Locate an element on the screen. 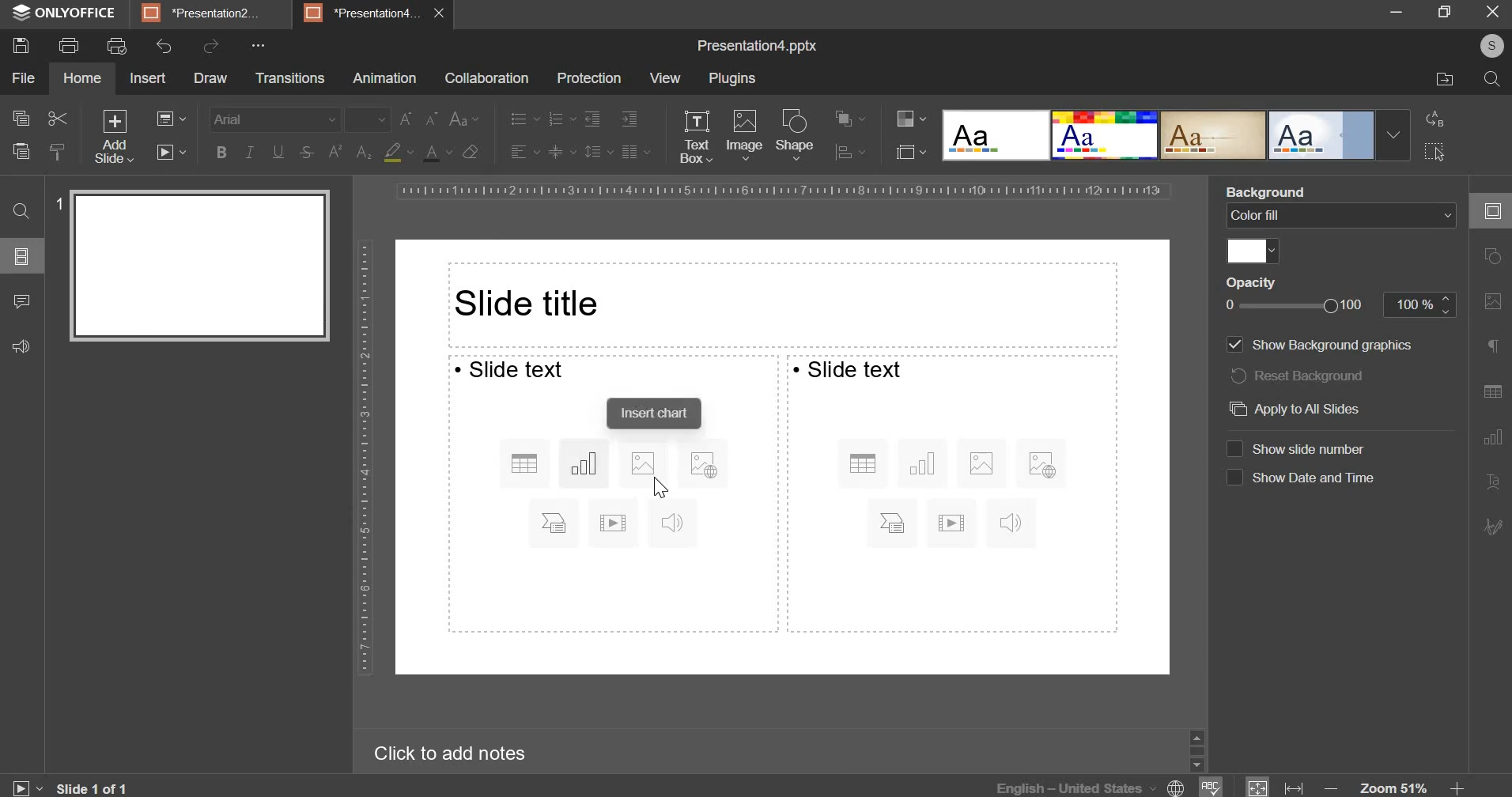 The image size is (1512, 797). home is located at coordinates (83, 77).